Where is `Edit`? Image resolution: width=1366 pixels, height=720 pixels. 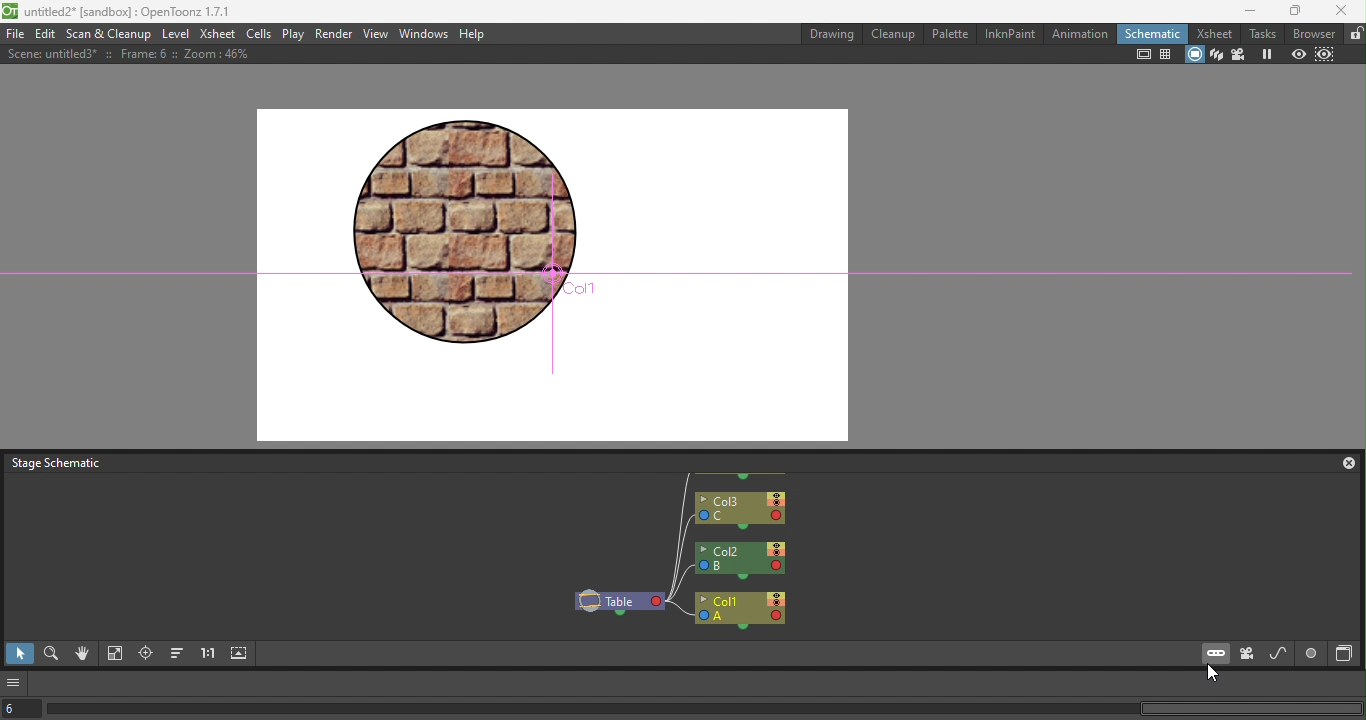 Edit is located at coordinates (45, 34).